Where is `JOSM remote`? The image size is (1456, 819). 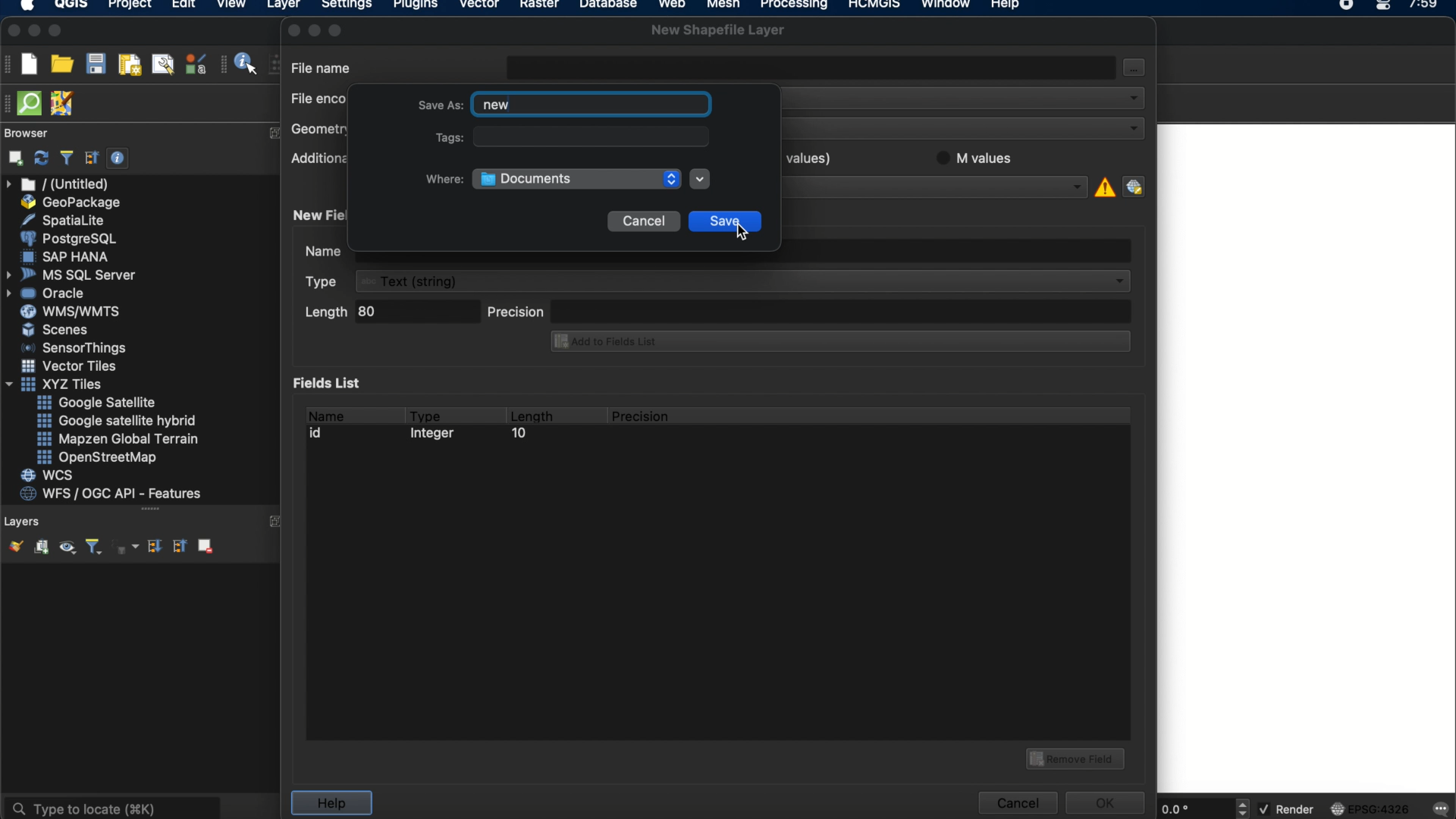 JOSM remote is located at coordinates (64, 104).